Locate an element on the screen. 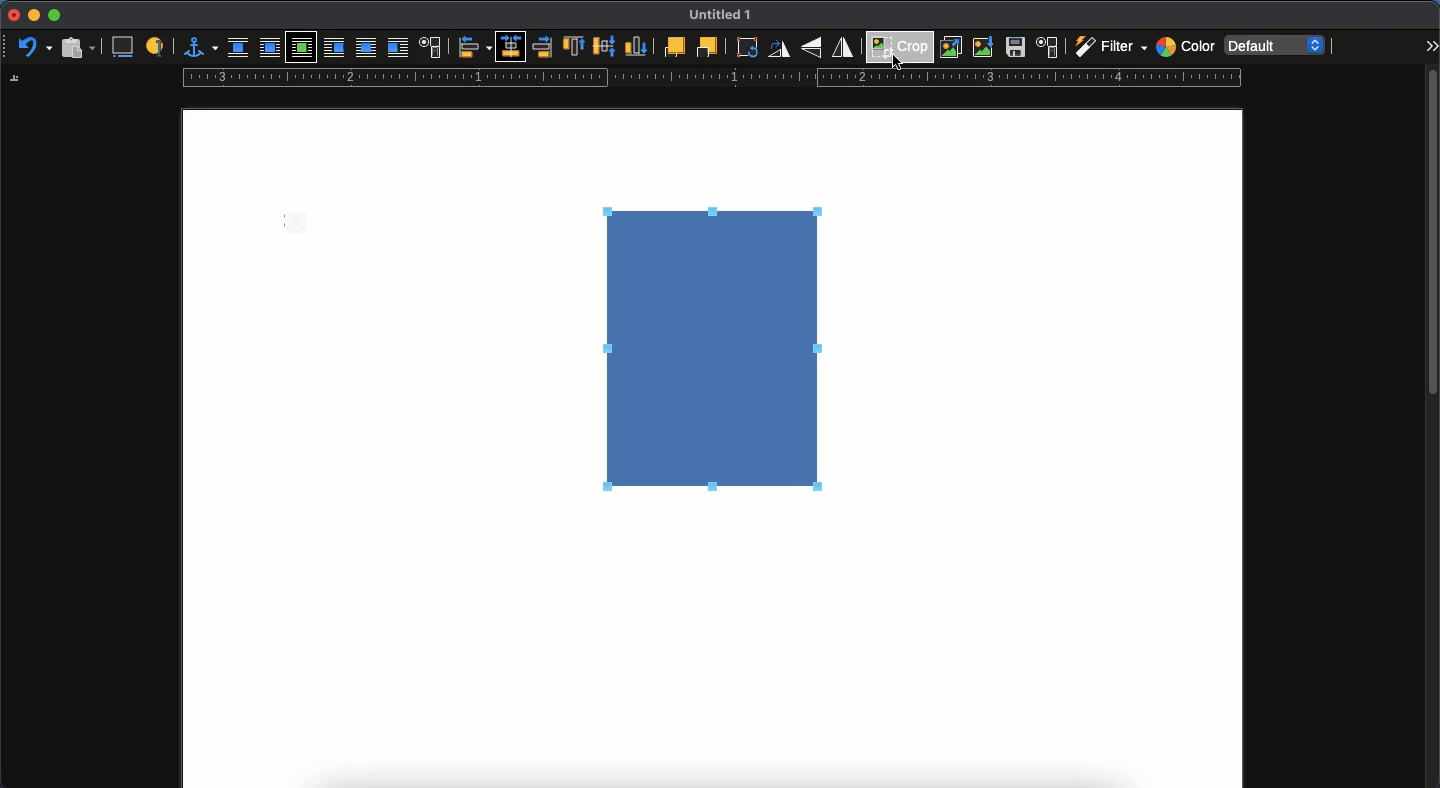 The height and width of the screenshot is (788, 1440). rotate 90 right is located at coordinates (779, 51).